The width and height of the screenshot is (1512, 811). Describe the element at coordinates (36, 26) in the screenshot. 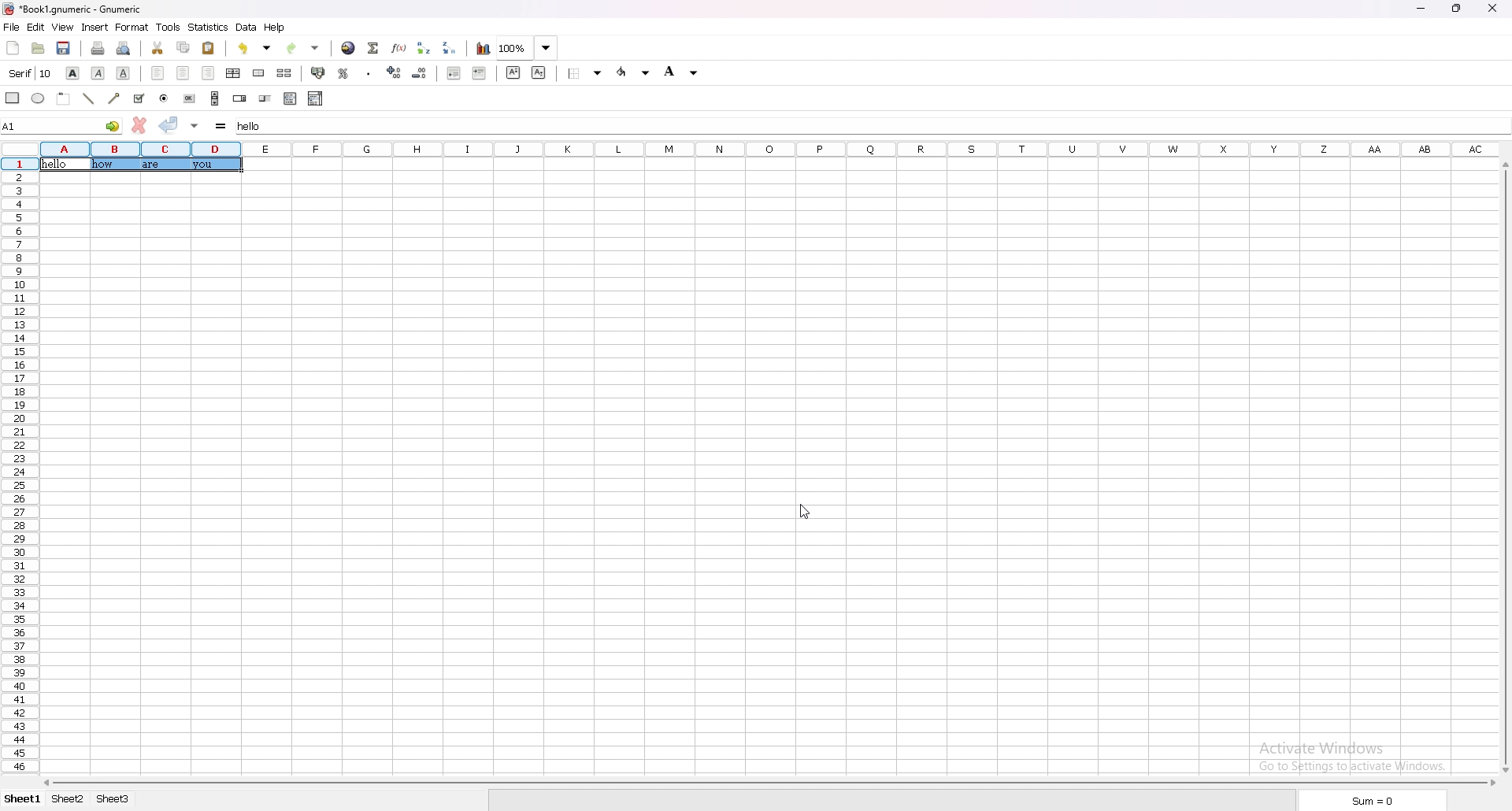

I see `edit` at that location.